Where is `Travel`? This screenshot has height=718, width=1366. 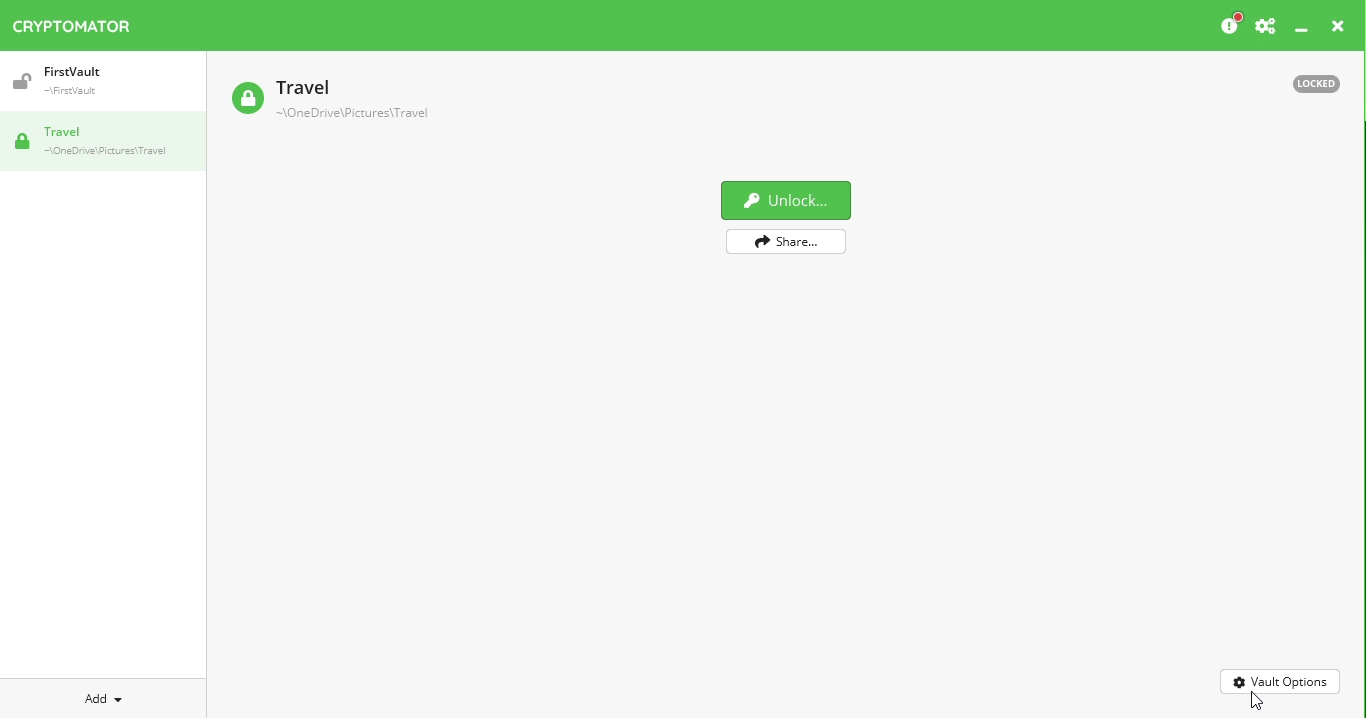 Travel is located at coordinates (332, 101).